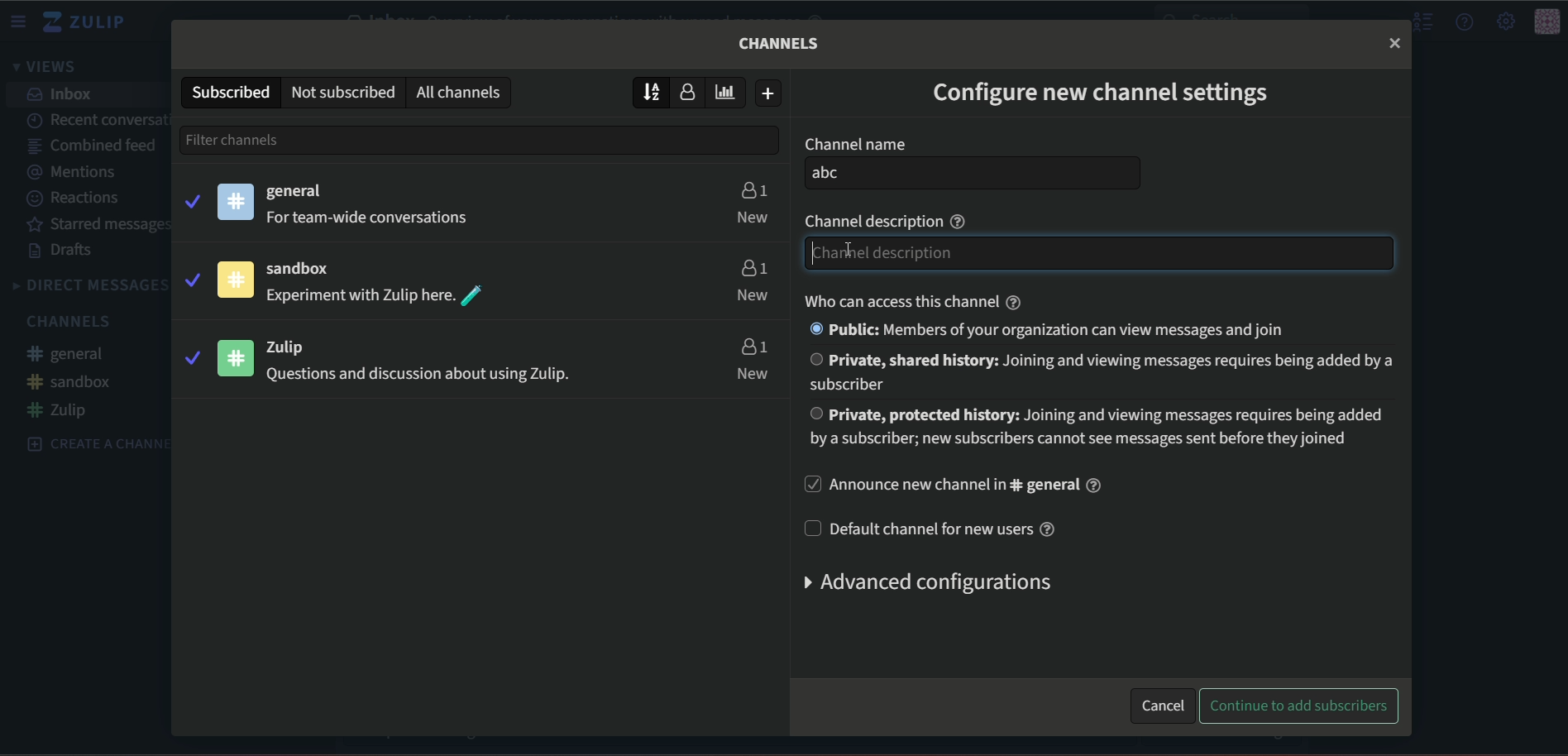  What do you see at coordinates (98, 117) in the screenshot?
I see `starred messages` at bounding box center [98, 117].